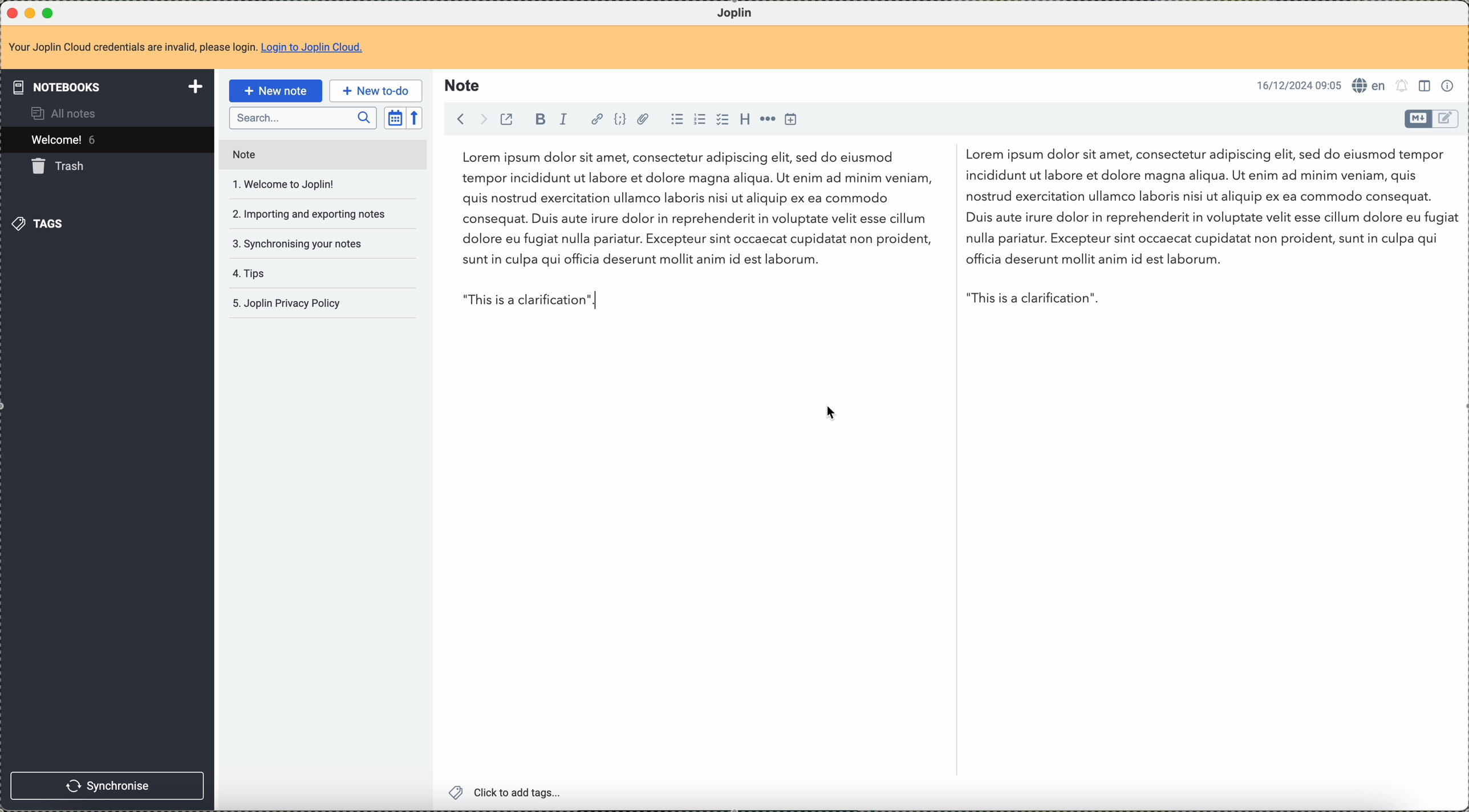  What do you see at coordinates (274, 91) in the screenshot?
I see `new note` at bounding box center [274, 91].